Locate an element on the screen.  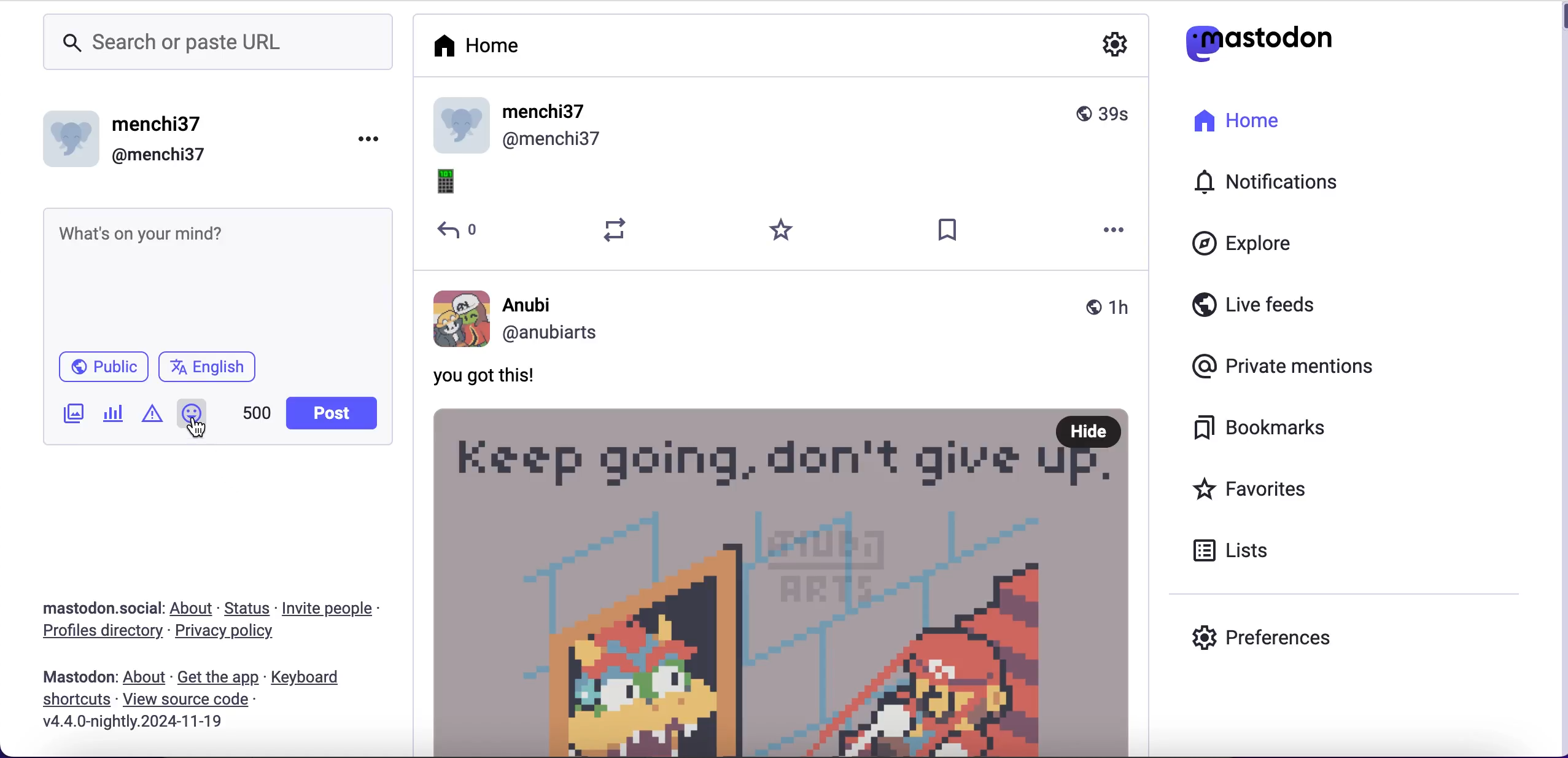
add image is located at coordinates (74, 418).